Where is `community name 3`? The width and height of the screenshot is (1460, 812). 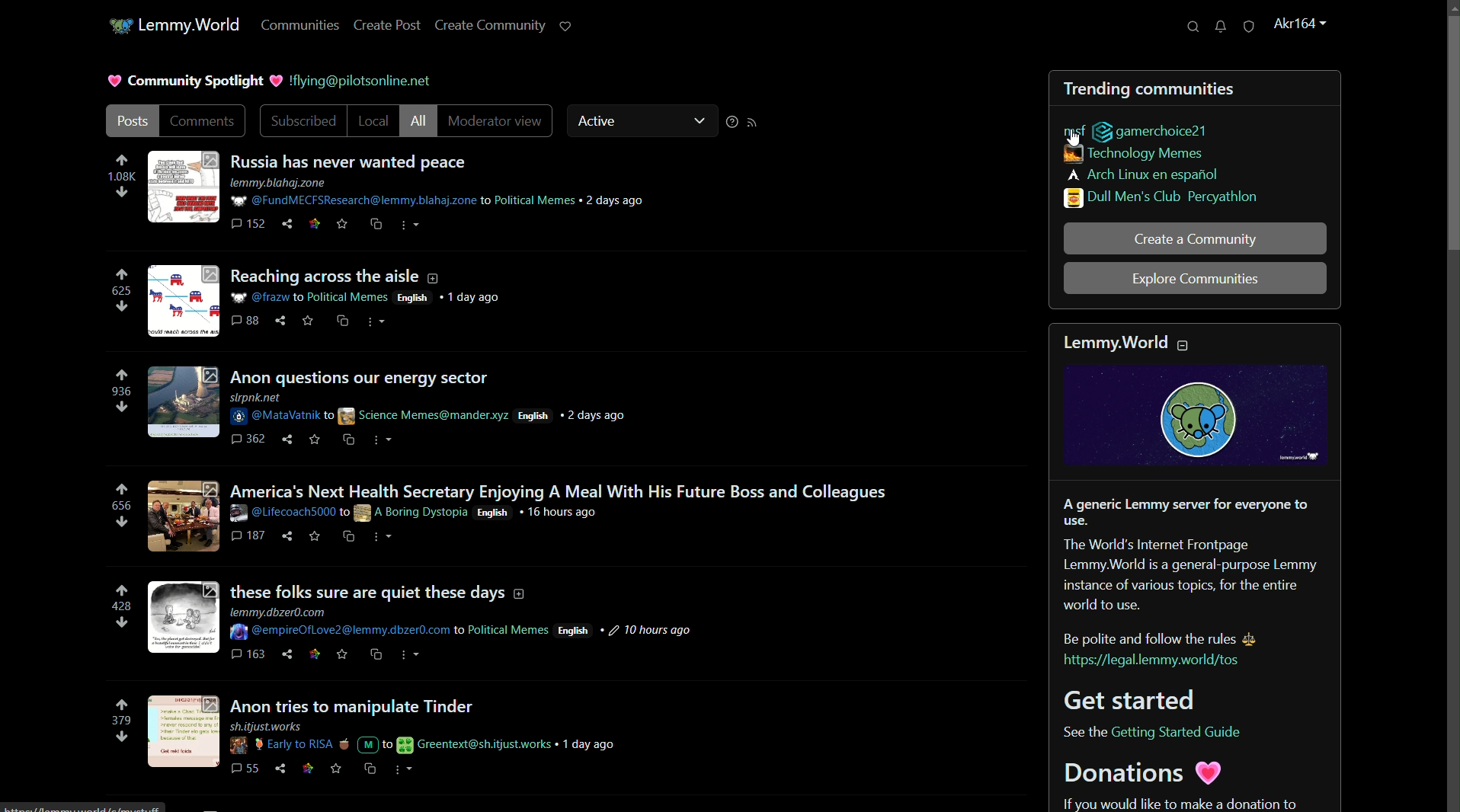
community name 3 is located at coordinates (1143, 176).